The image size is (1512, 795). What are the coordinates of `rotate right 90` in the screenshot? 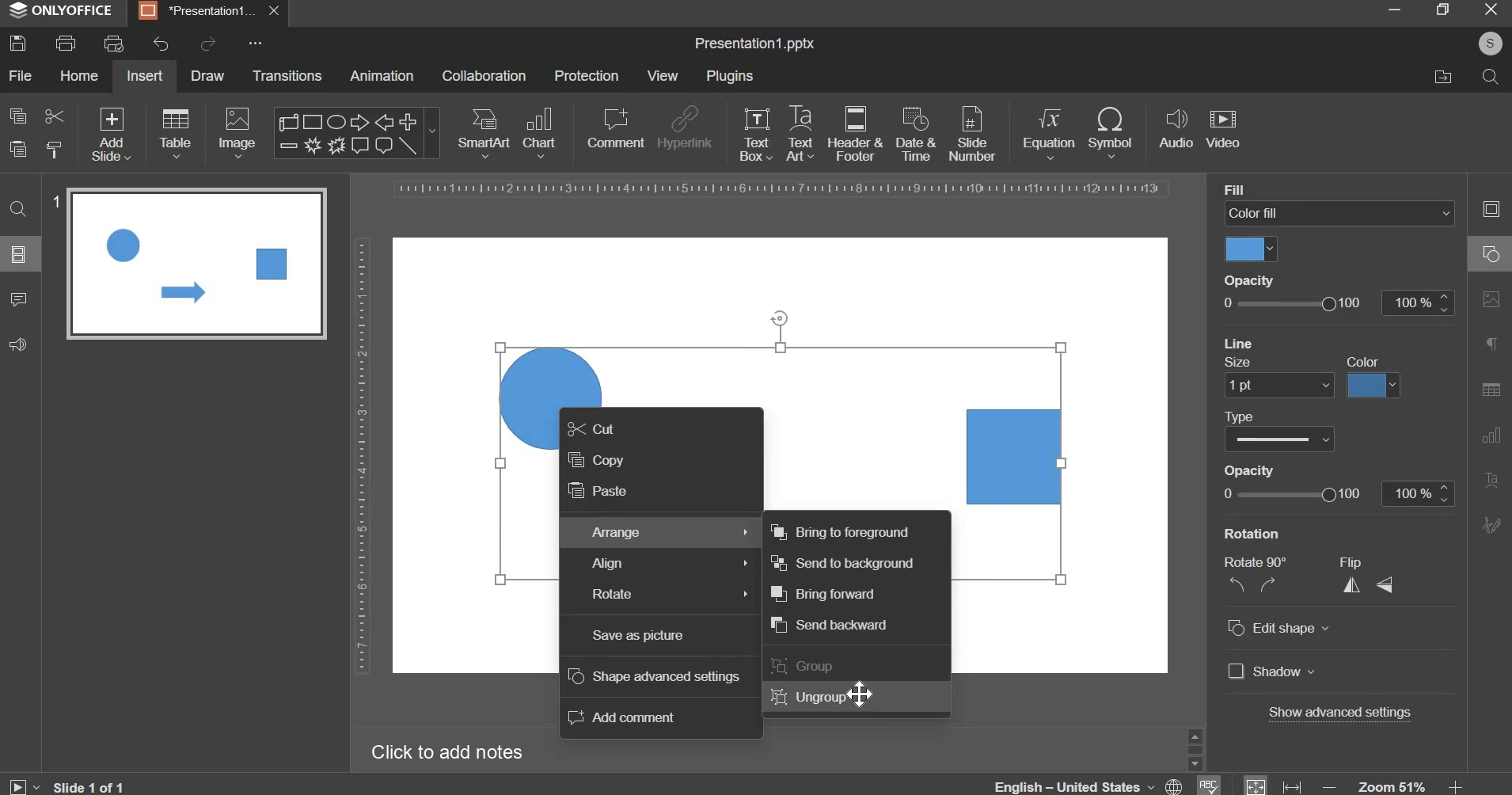 It's located at (1271, 585).